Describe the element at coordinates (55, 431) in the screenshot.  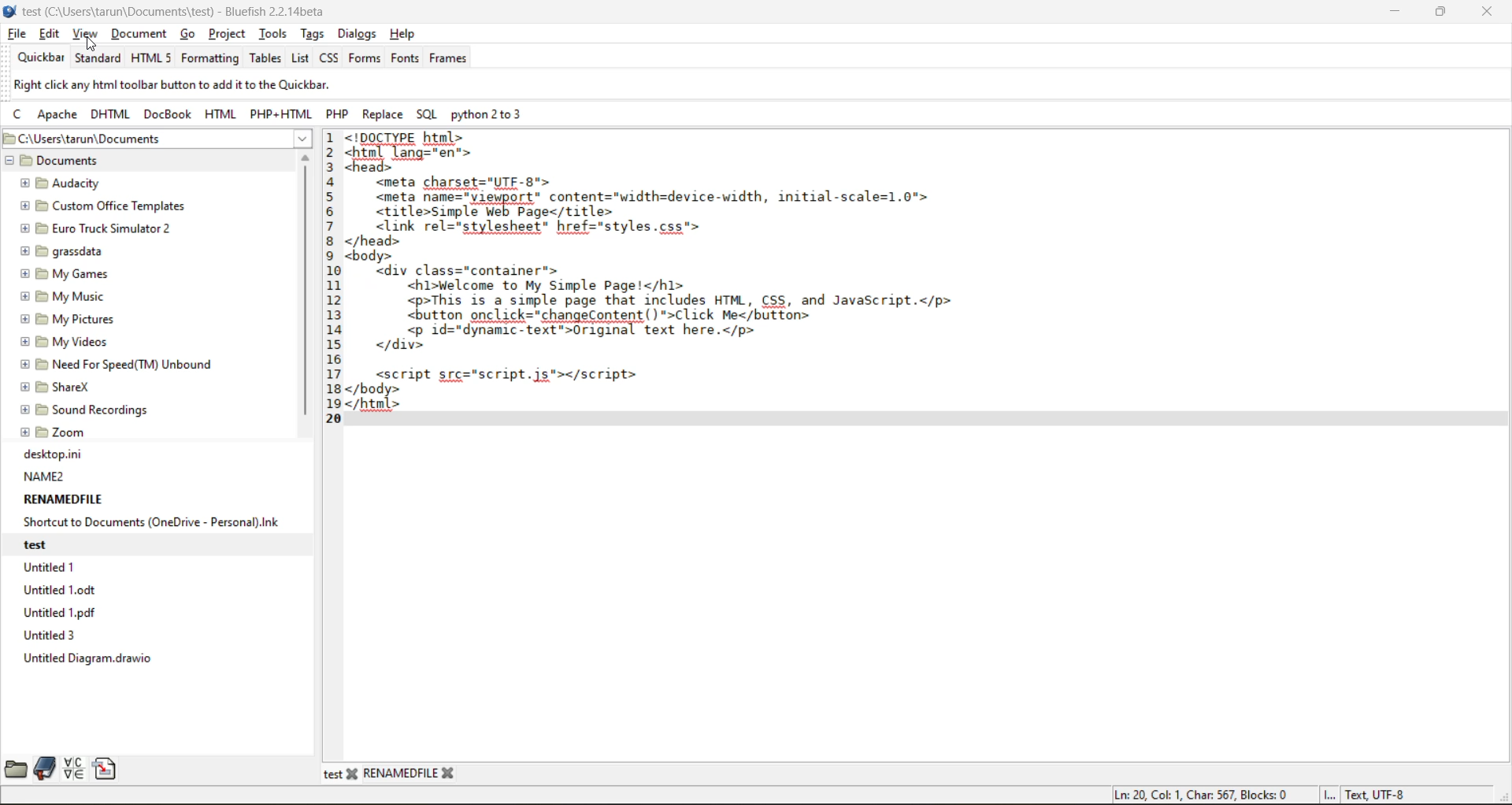
I see `@ 9 Zoom` at that location.